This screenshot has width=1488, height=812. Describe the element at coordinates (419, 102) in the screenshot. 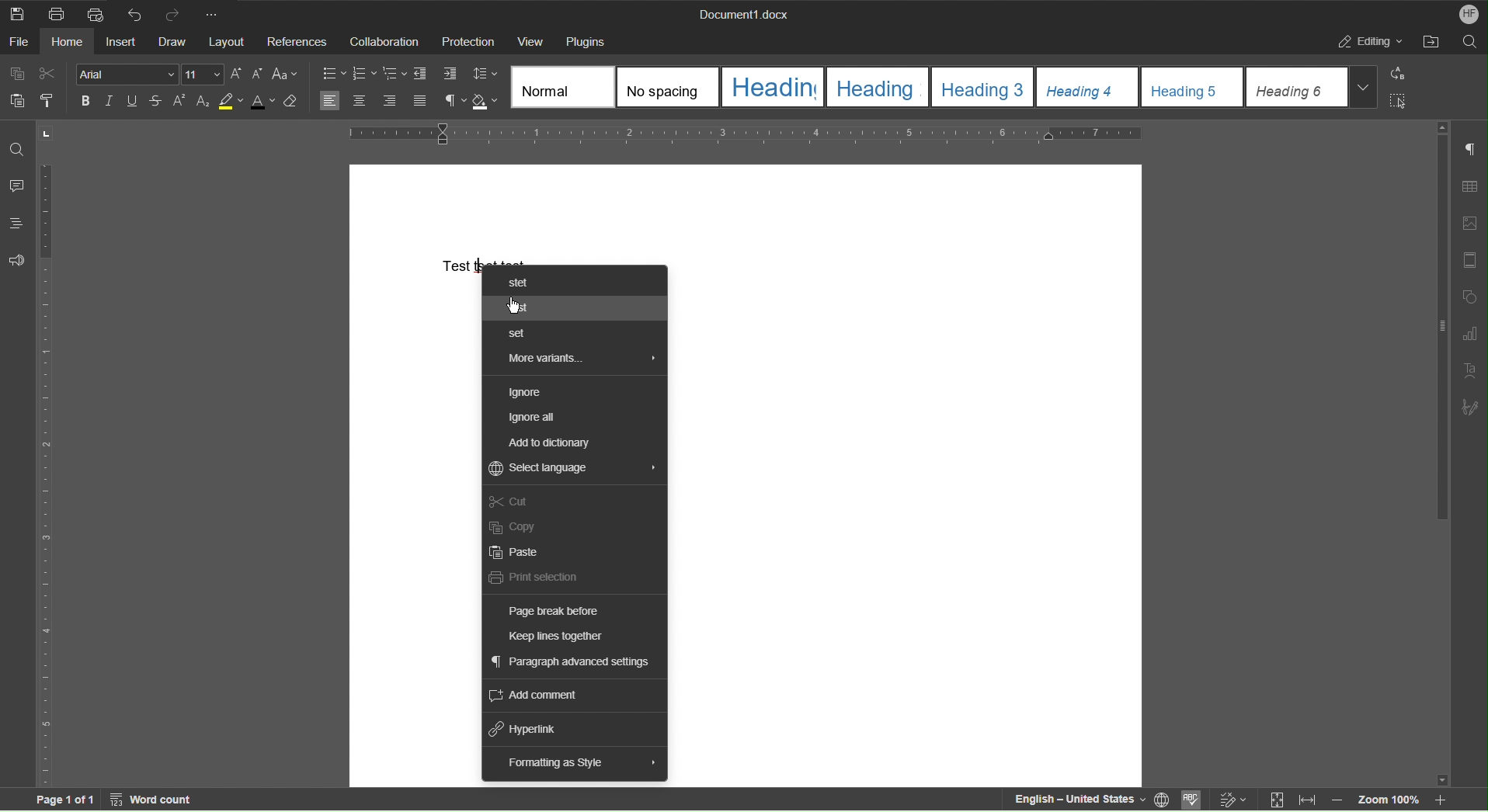

I see `Justify` at that location.